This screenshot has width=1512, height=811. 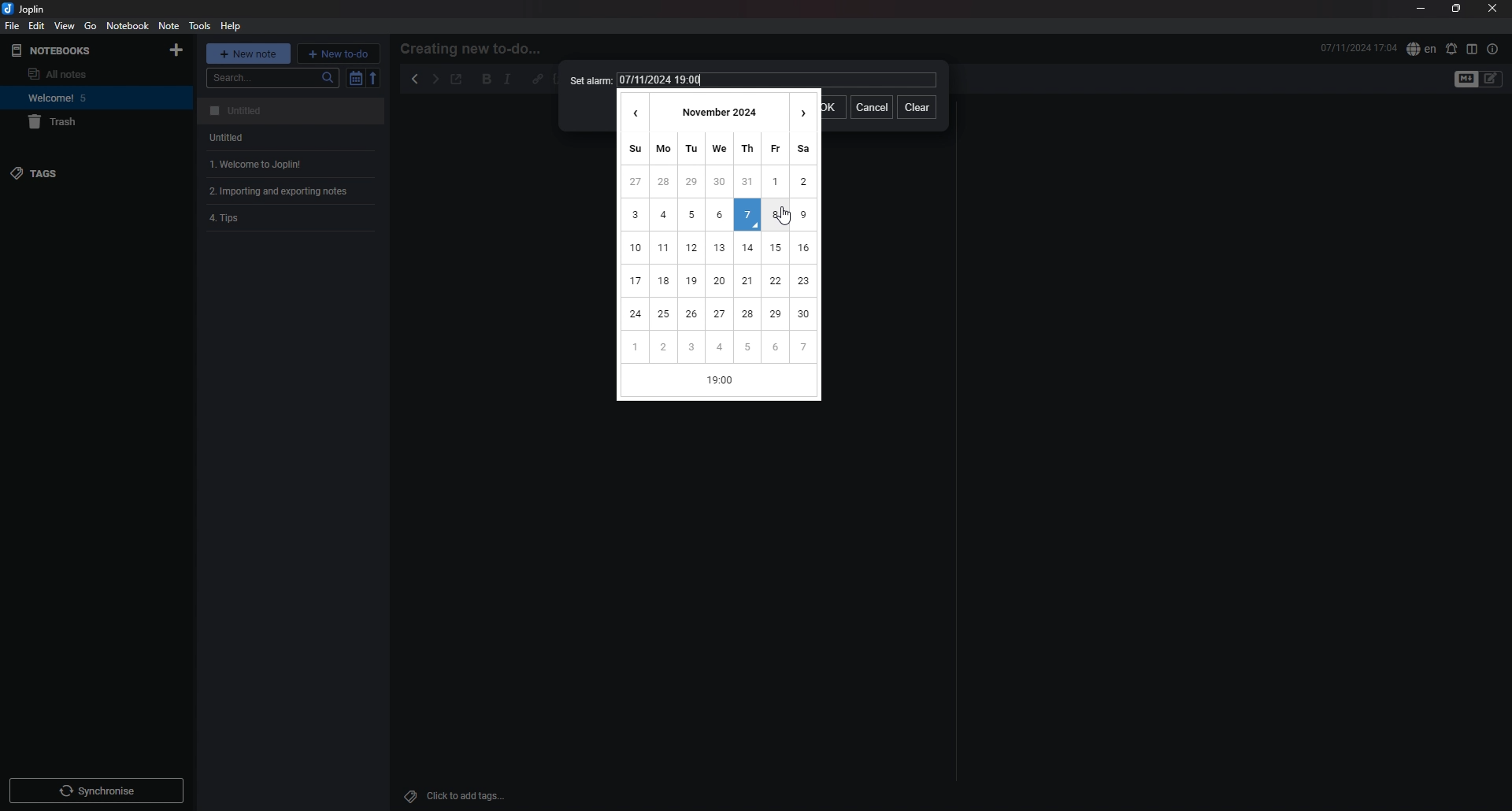 I want to click on trash, so click(x=87, y=122).